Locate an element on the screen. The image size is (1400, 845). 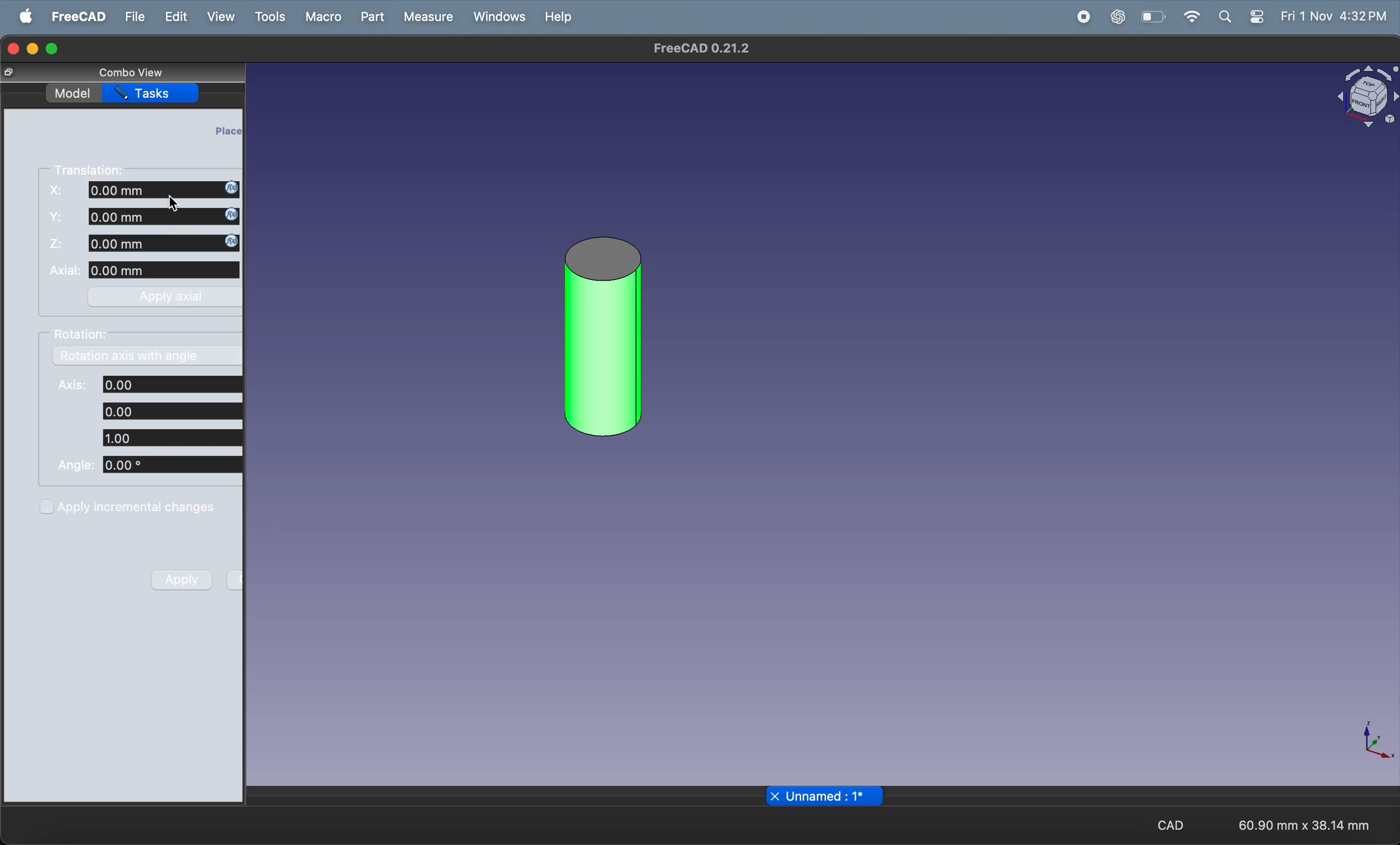
rotation axis with angle is located at coordinates (149, 355).